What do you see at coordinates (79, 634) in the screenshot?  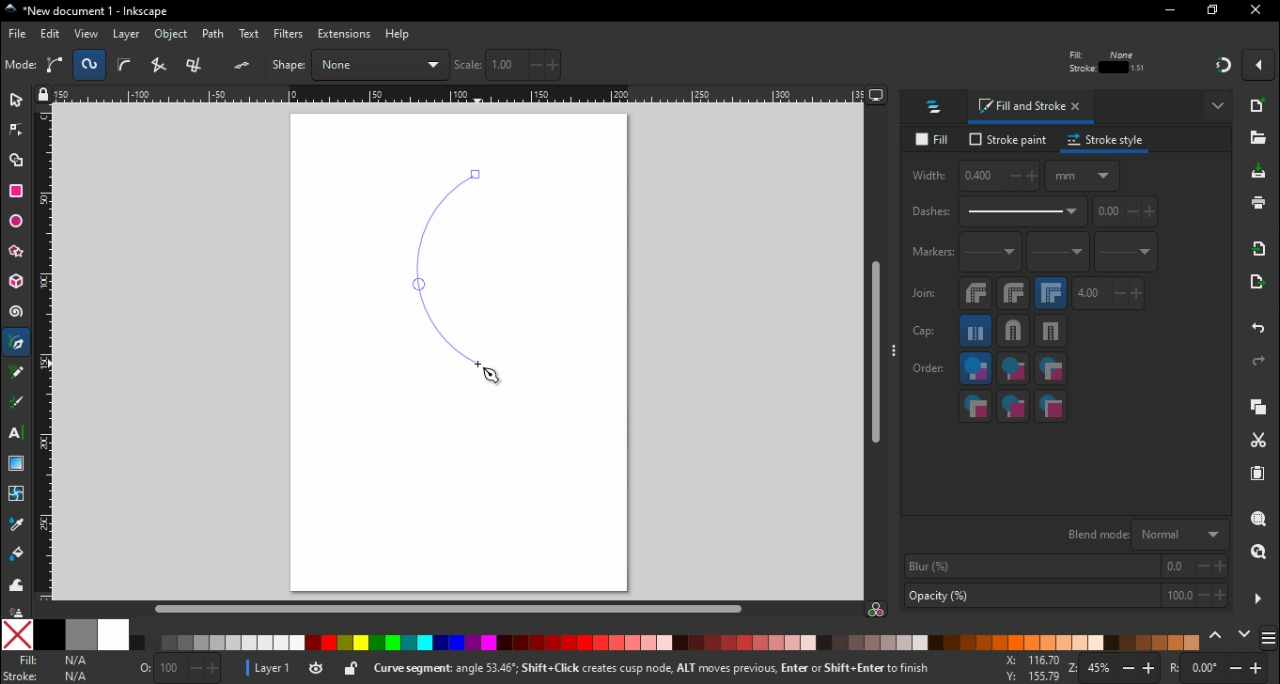 I see `50% grey` at bounding box center [79, 634].